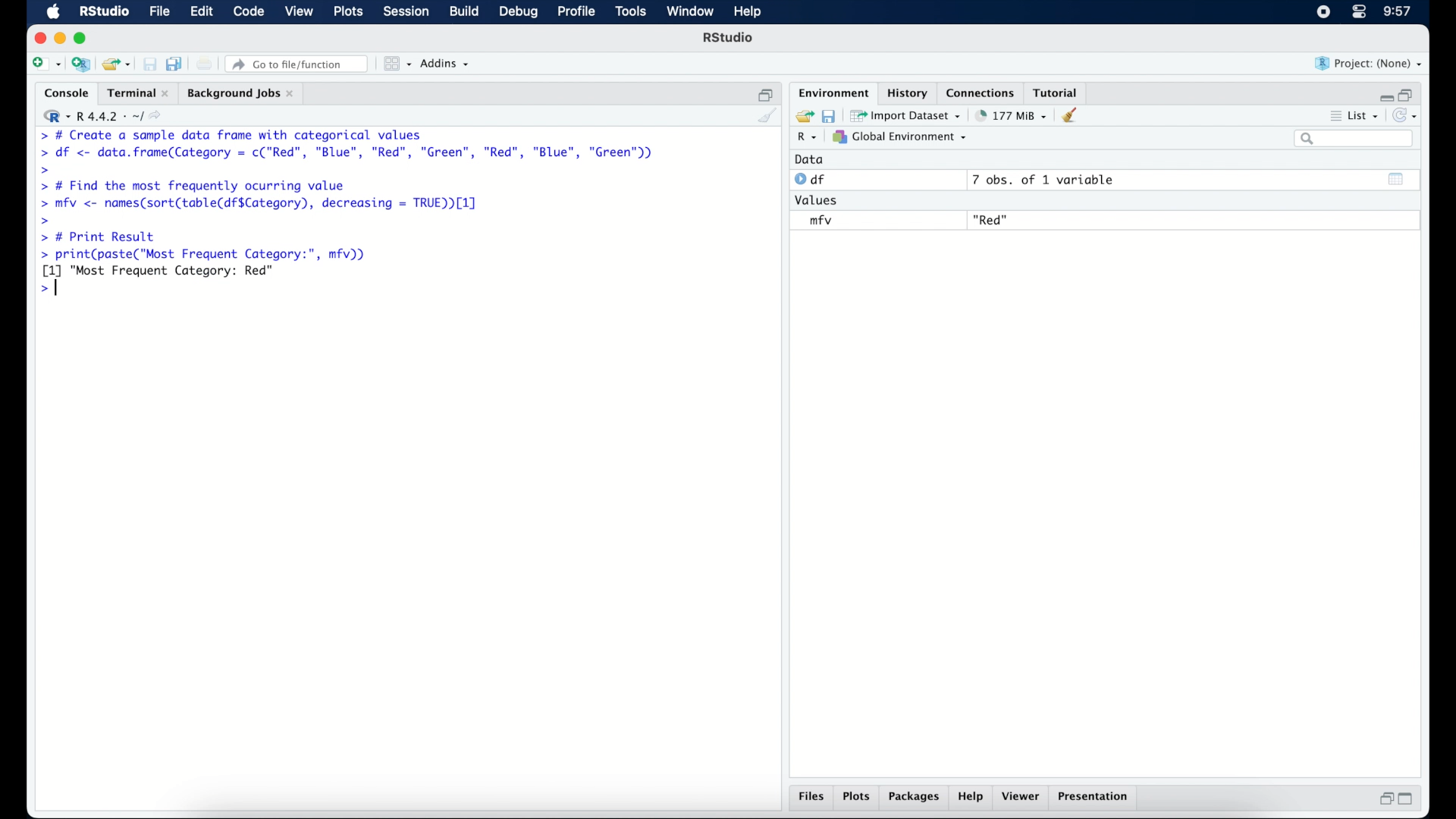 The height and width of the screenshot is (819, 1456). I want to click on background jobs, so click(243, 93).